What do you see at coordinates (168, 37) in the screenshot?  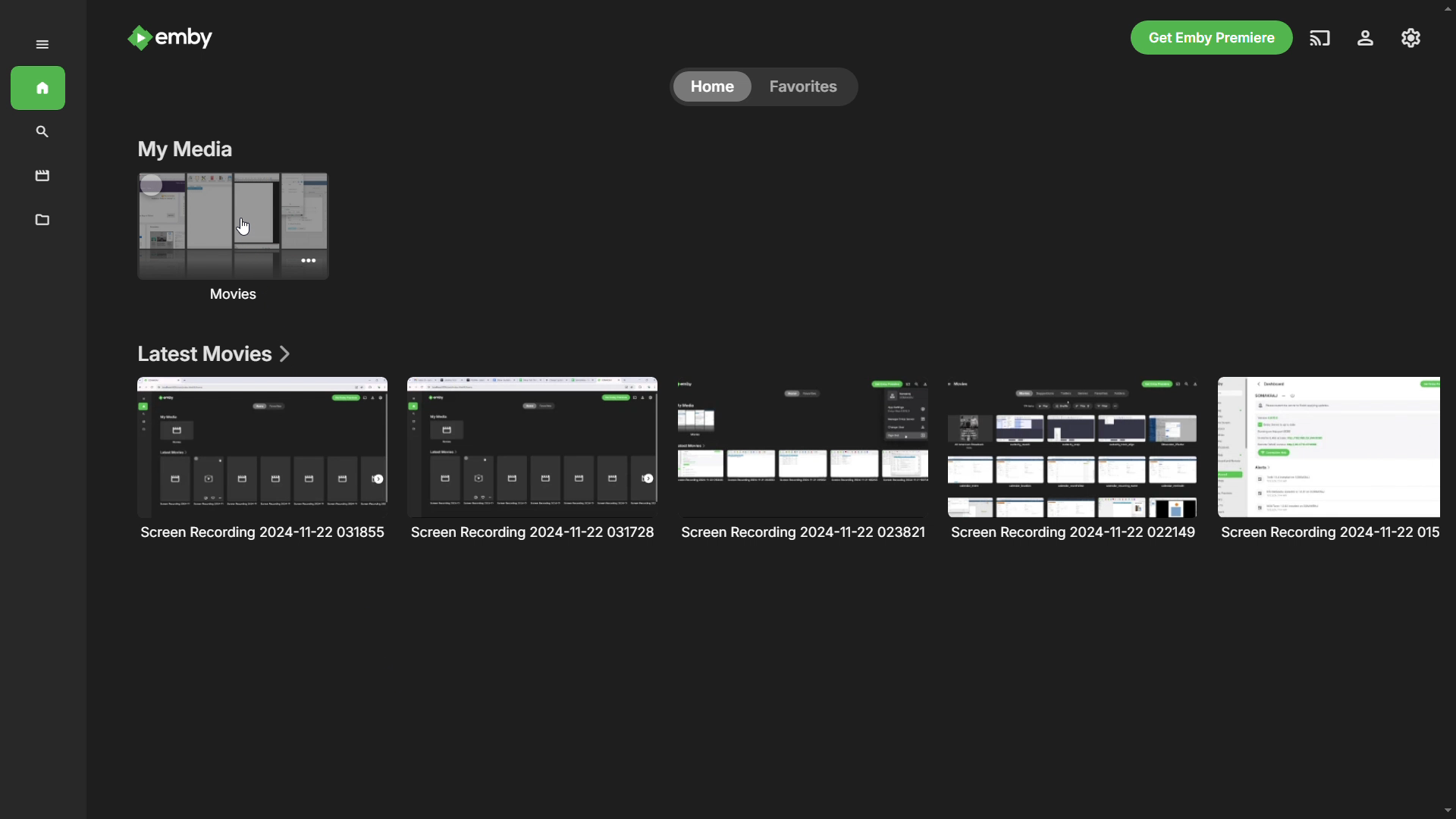 I see `logo` at bounding box center [168, 37].